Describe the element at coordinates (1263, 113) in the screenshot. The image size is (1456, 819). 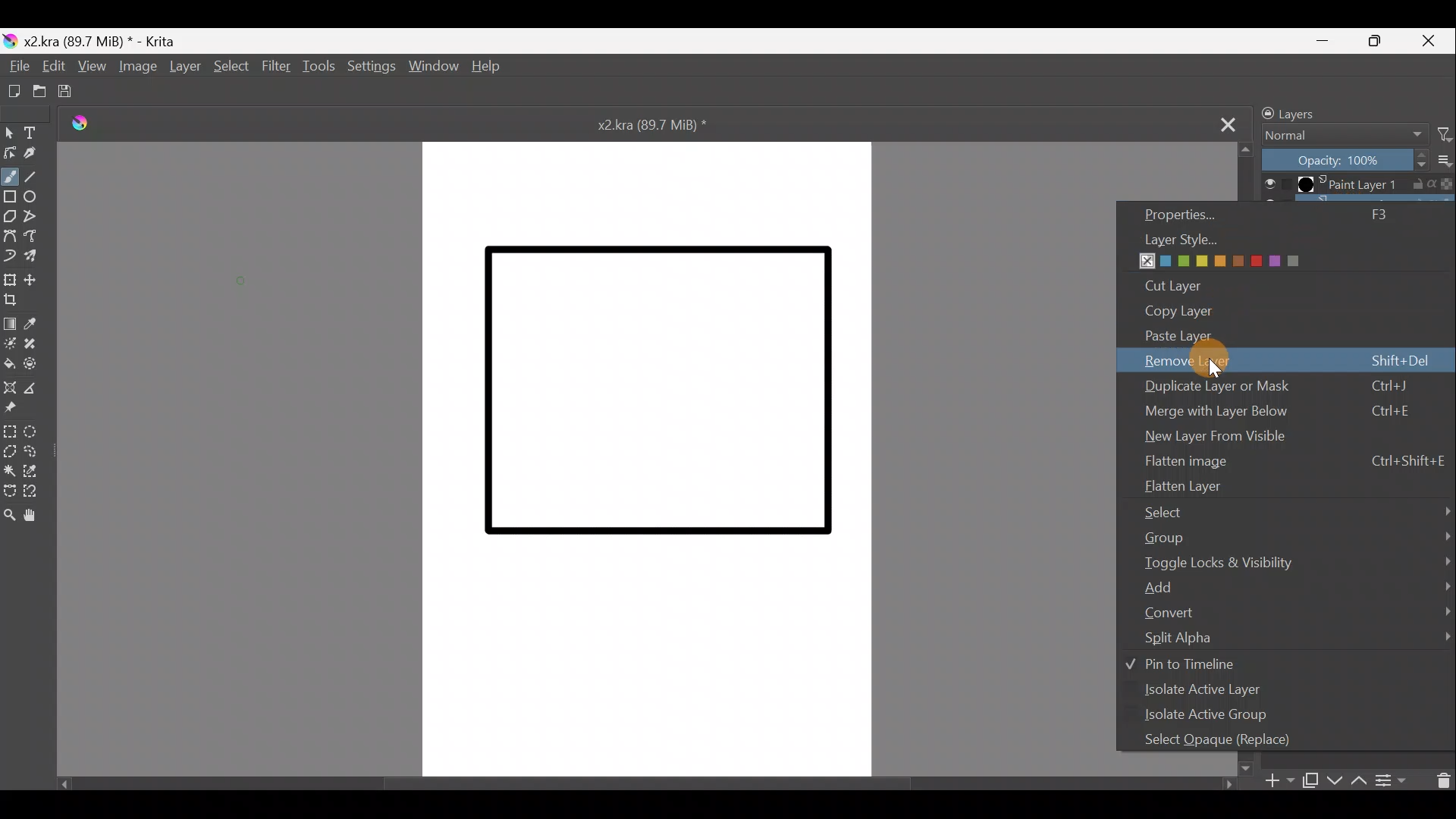
I see `Lock/unlock` at that location.